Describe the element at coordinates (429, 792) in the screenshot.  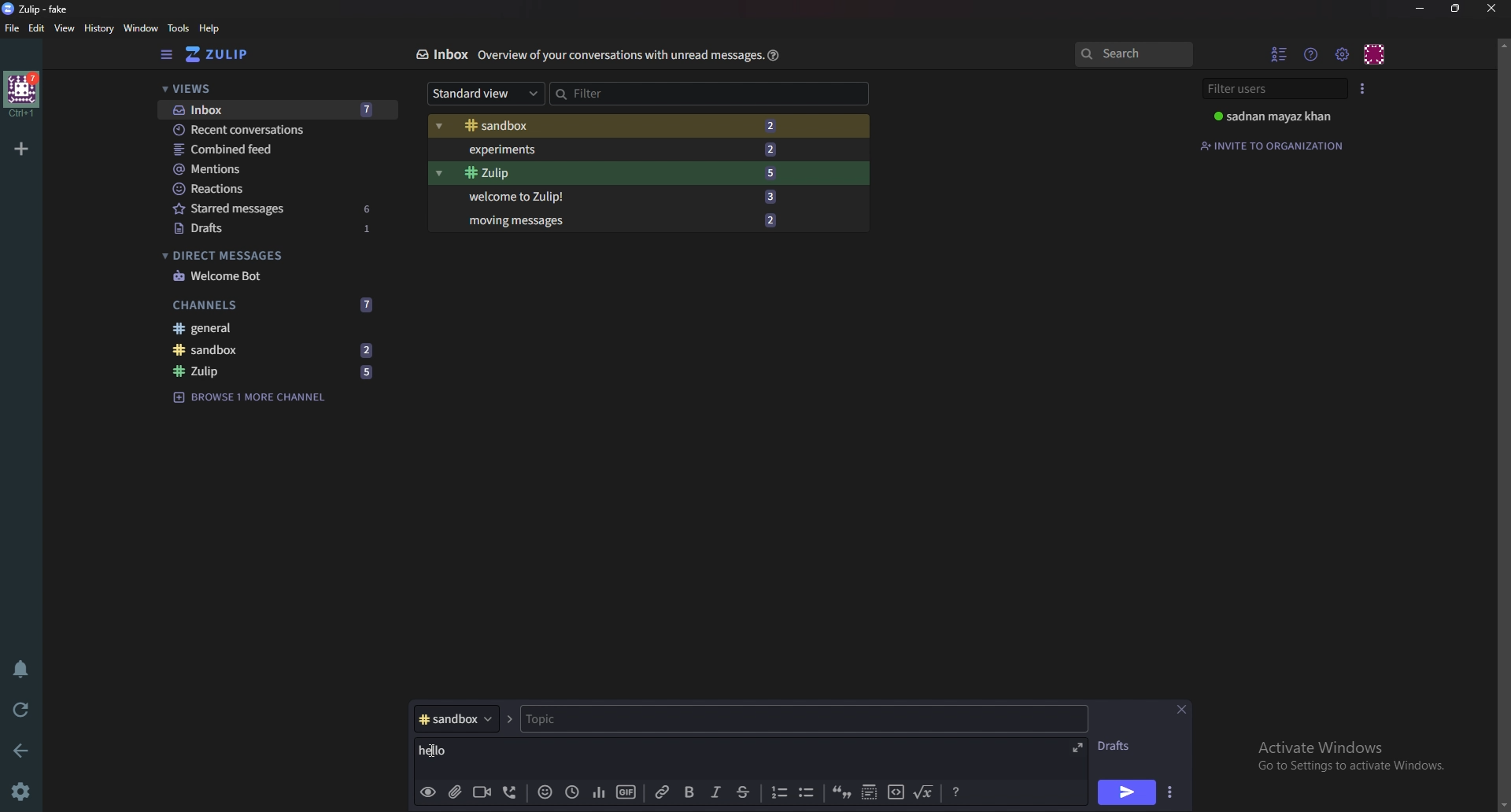
I see `Preview` at that location.